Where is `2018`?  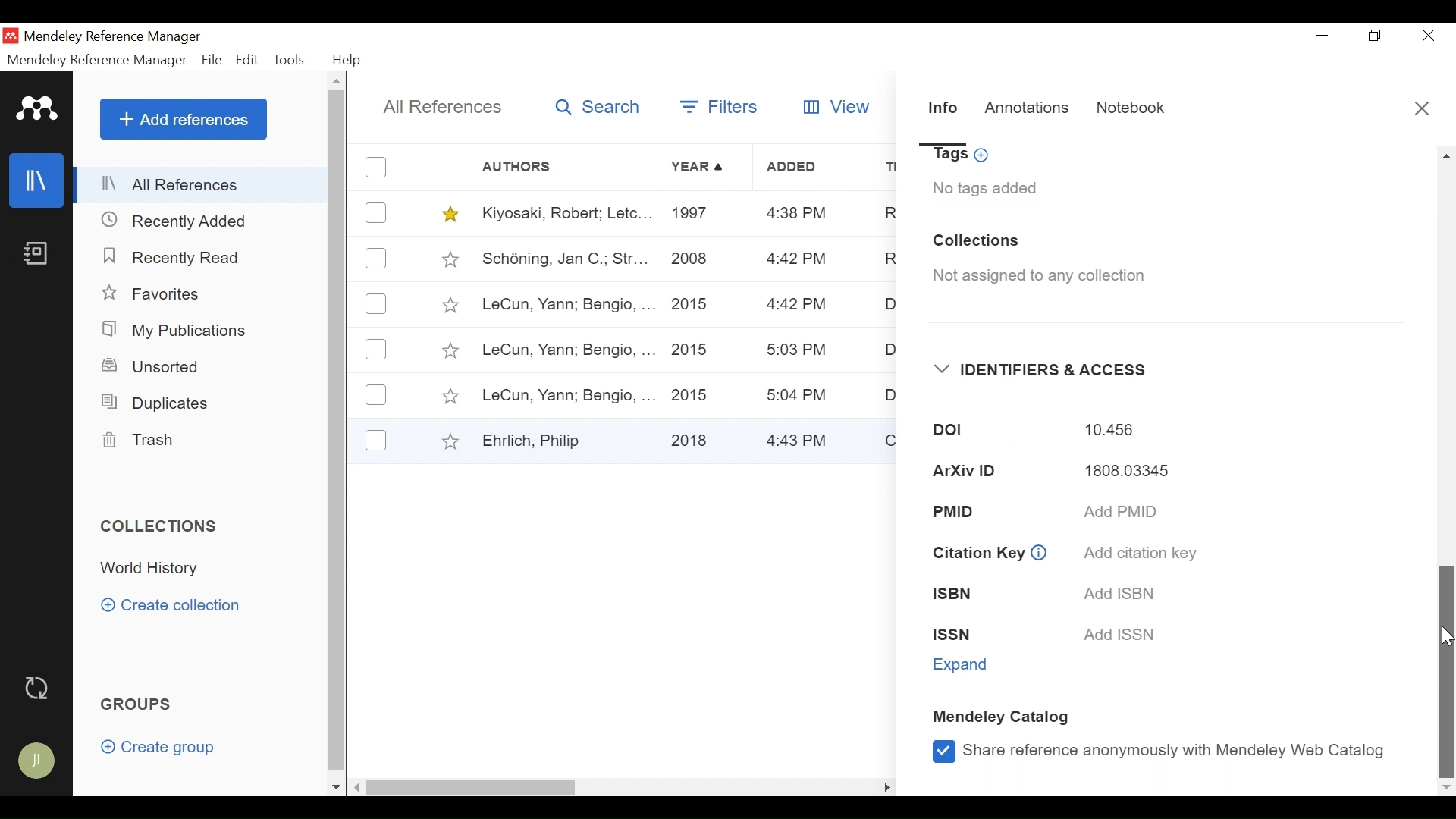
2018 is located at coordinates (693, 438).